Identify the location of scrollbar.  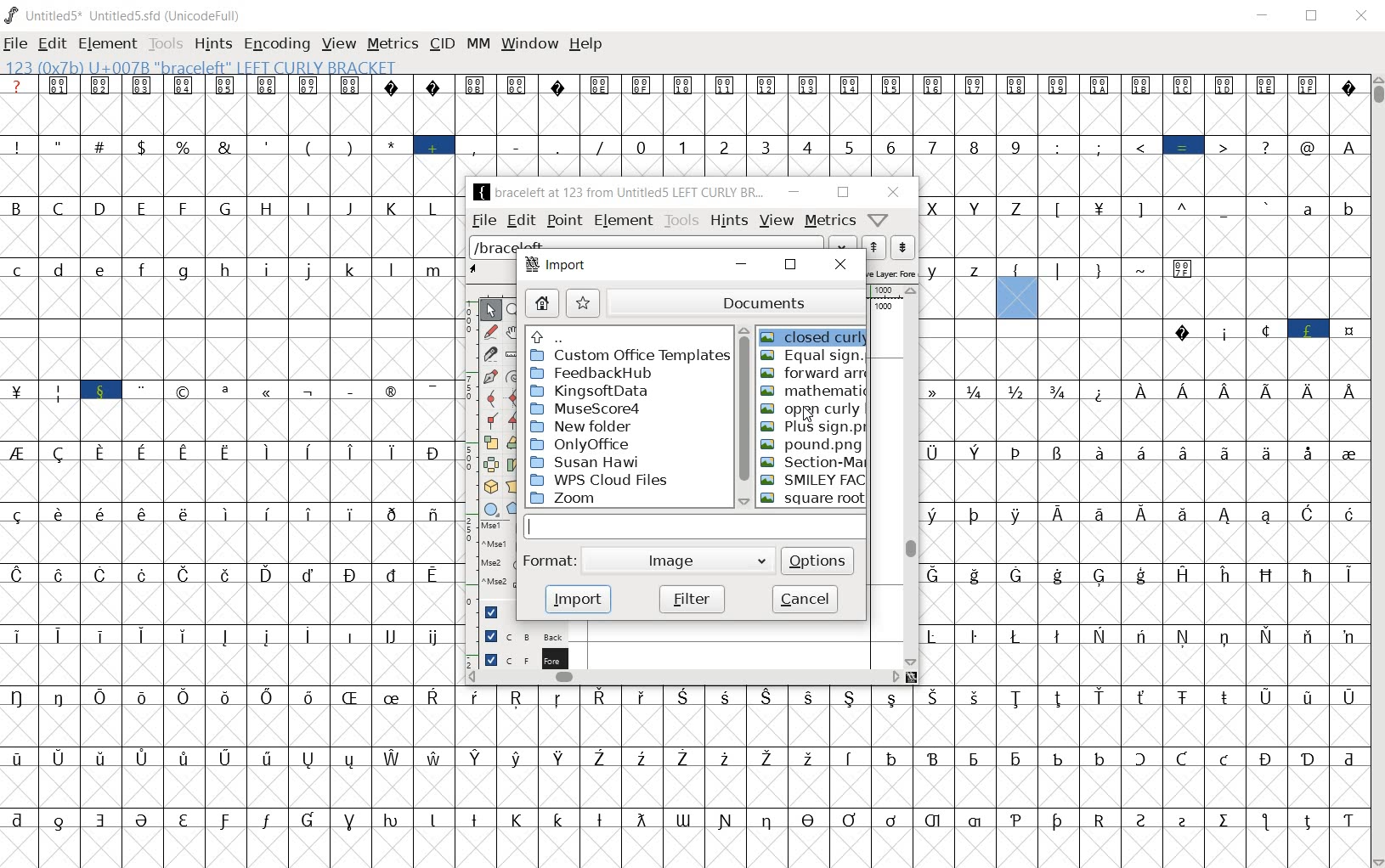
(913, 476).